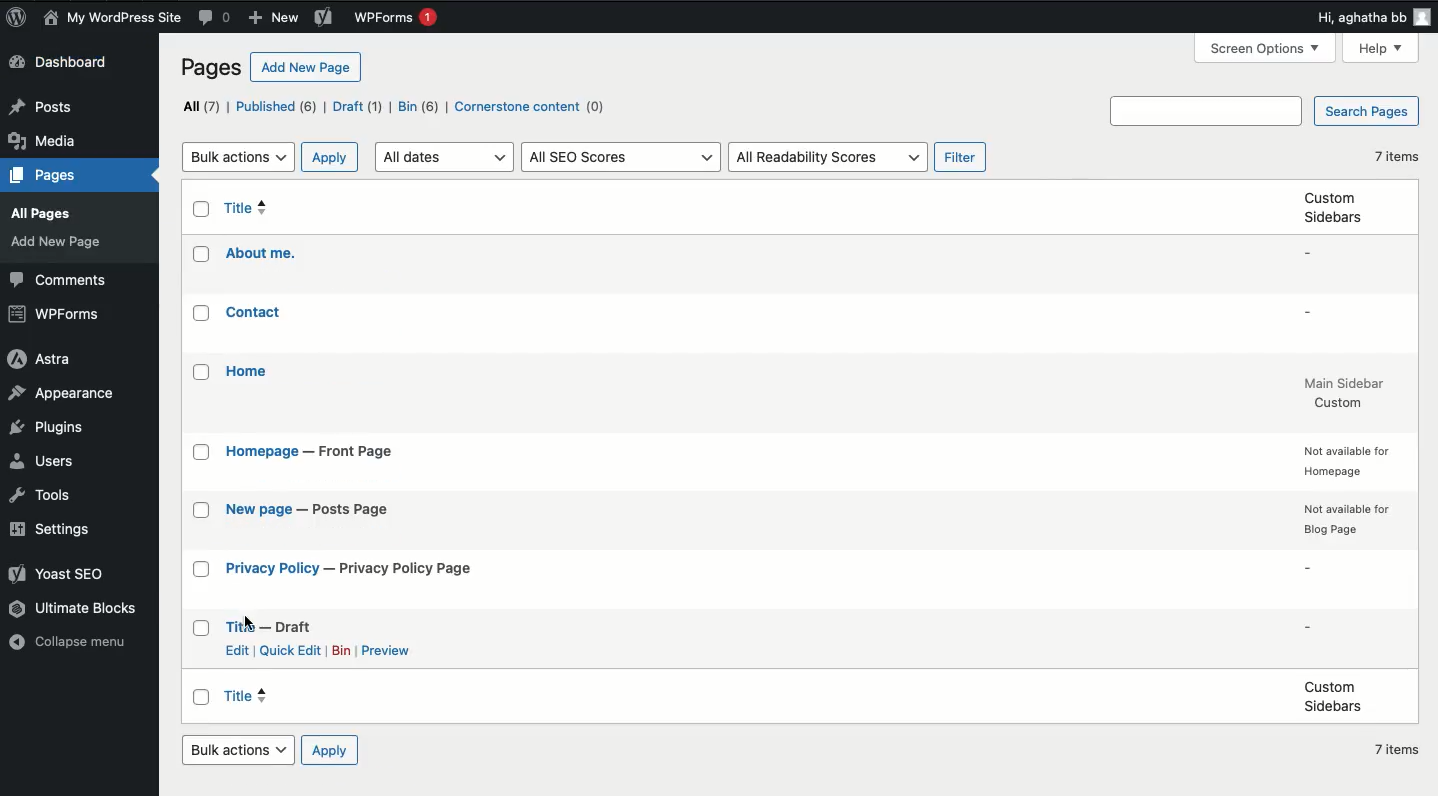  What do you see at coordinates (44, 177) in the screenshot?
I see `Pages` at bounding box center [44, 177].